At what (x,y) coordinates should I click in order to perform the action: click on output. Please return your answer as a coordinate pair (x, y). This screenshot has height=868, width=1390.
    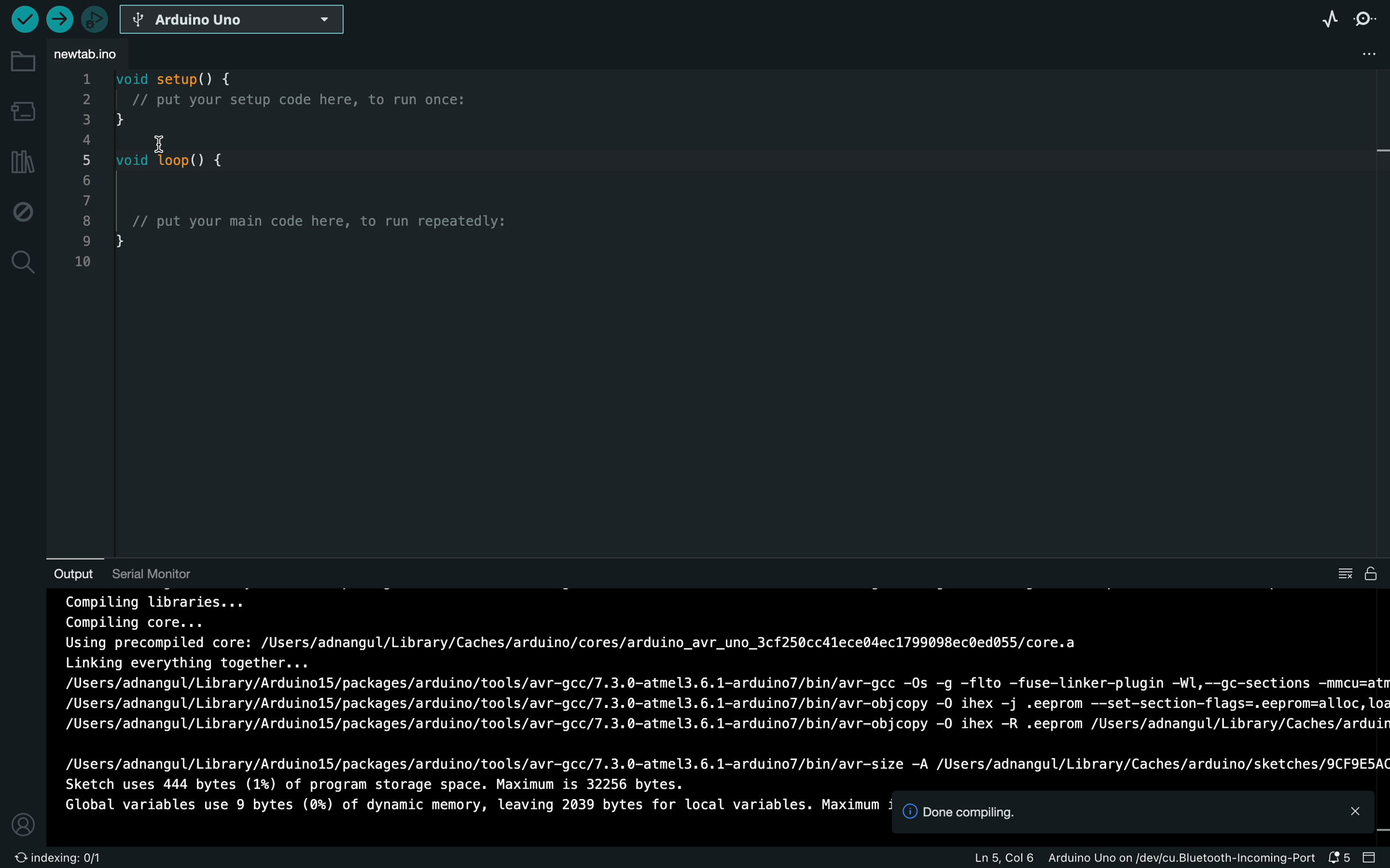
    Looking at the image, I should click on (64, 572).